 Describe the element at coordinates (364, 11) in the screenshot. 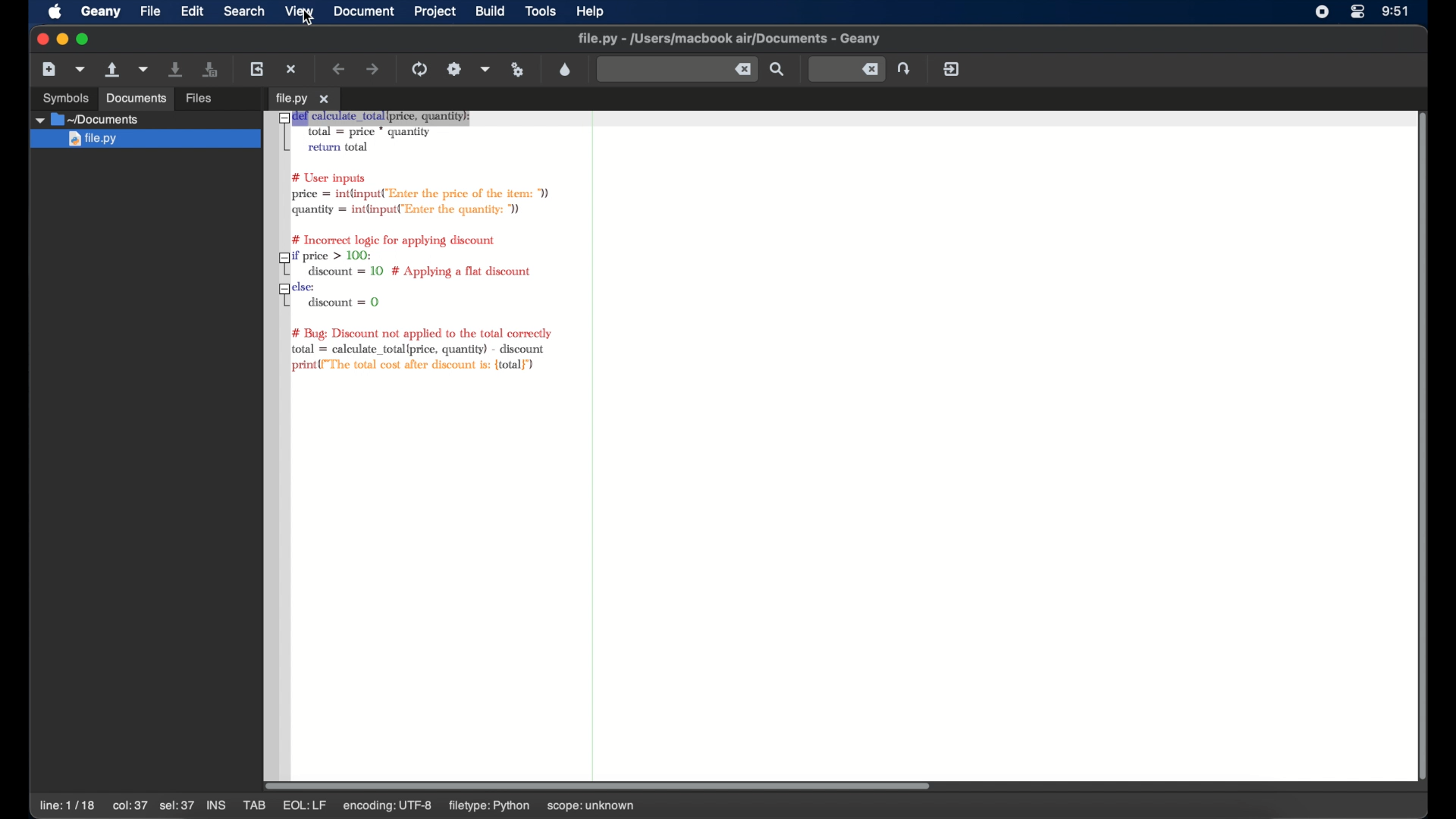

I see `document` at that location.